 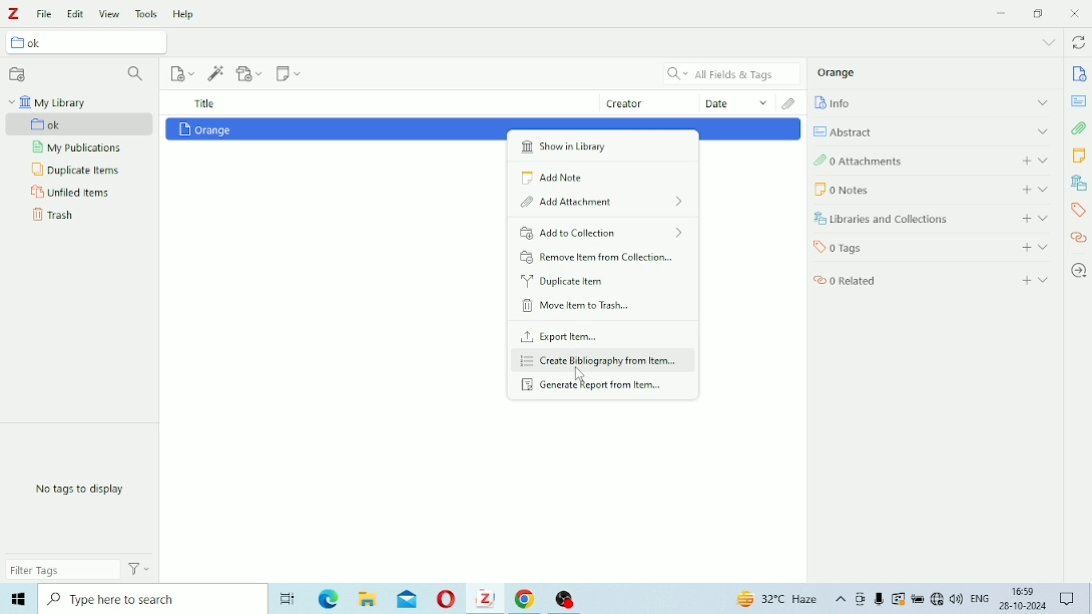 I want to click on New Collection, so click(x=18, y=75).